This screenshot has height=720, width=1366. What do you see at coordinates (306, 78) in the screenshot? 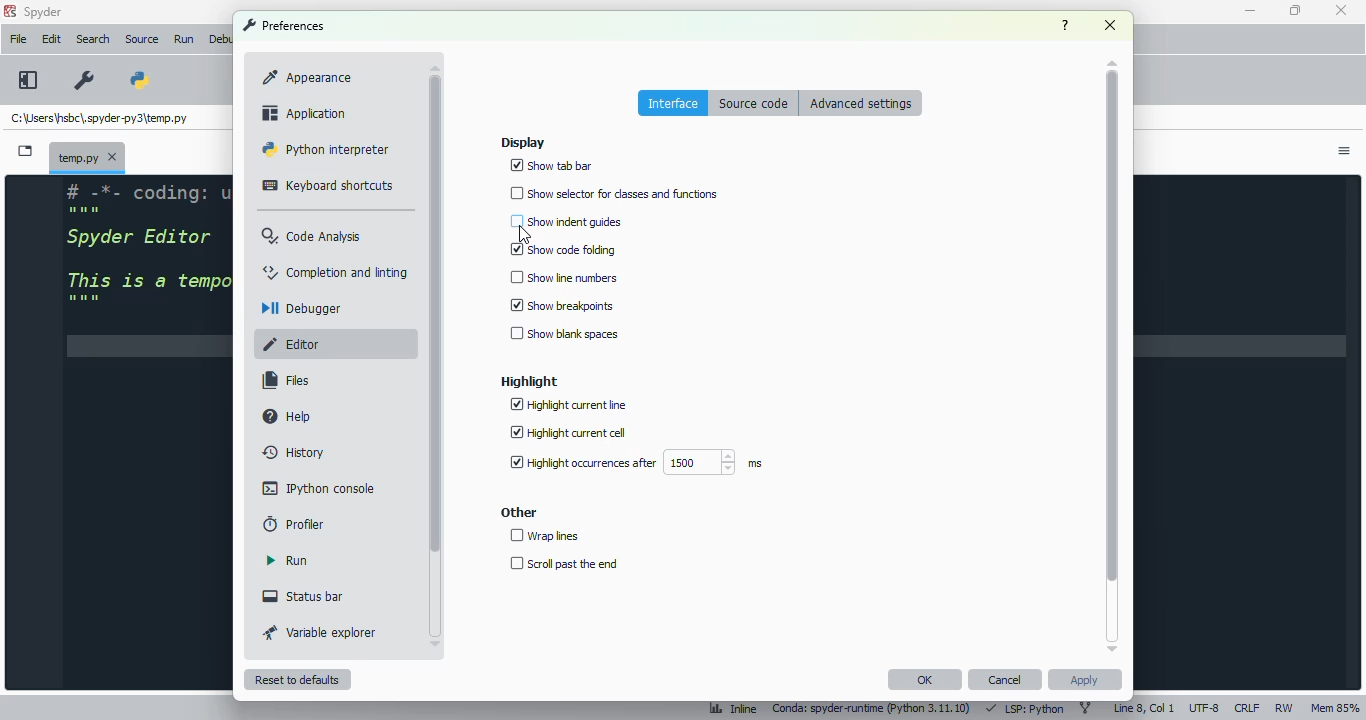
I see `appearance` at bounding box center [306, 78].